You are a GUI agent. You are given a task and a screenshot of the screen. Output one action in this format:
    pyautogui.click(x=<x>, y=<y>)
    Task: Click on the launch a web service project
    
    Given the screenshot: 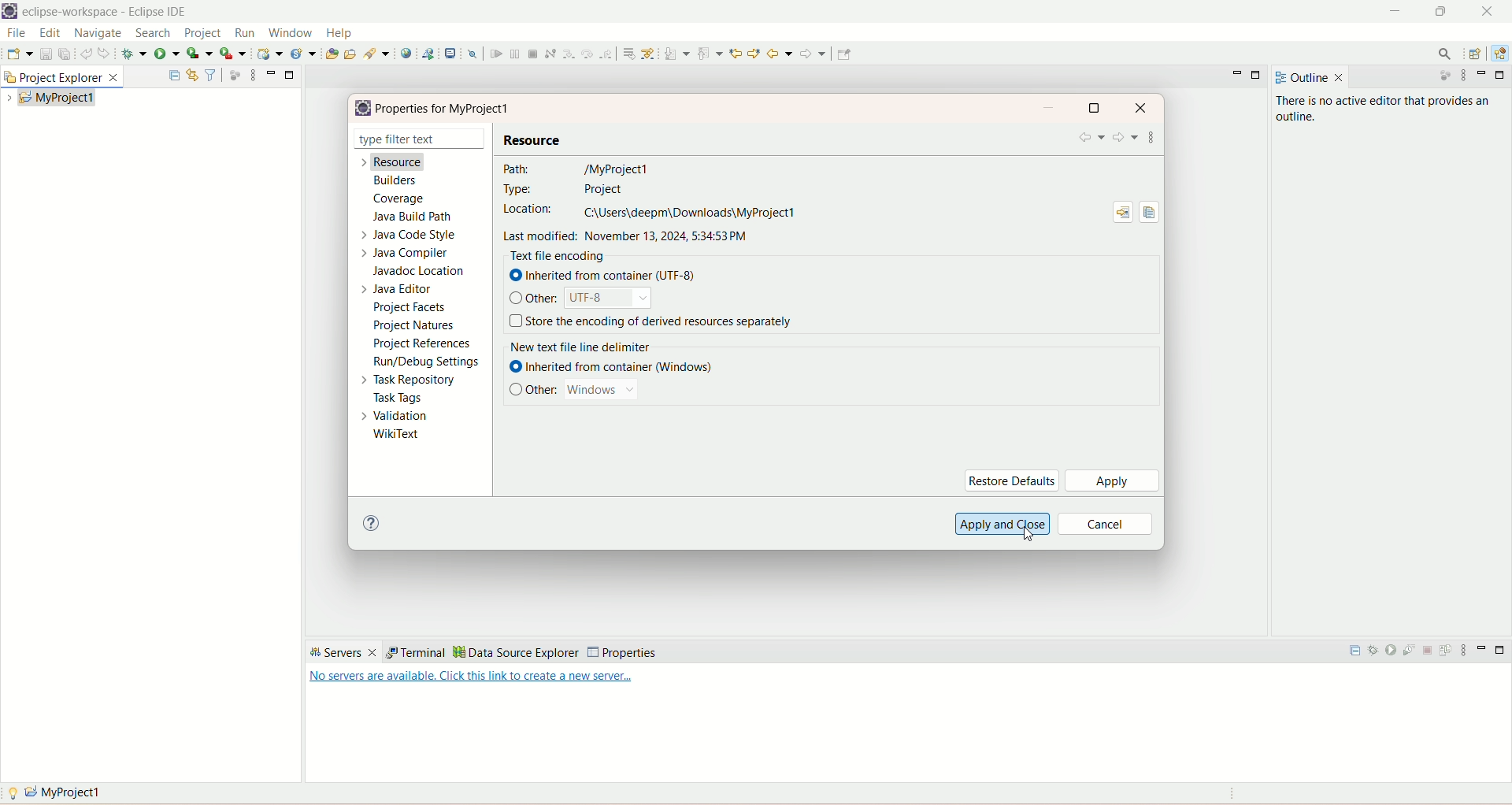 What is the action you would take?
    pyautogui.click(x=432, y=53)
    